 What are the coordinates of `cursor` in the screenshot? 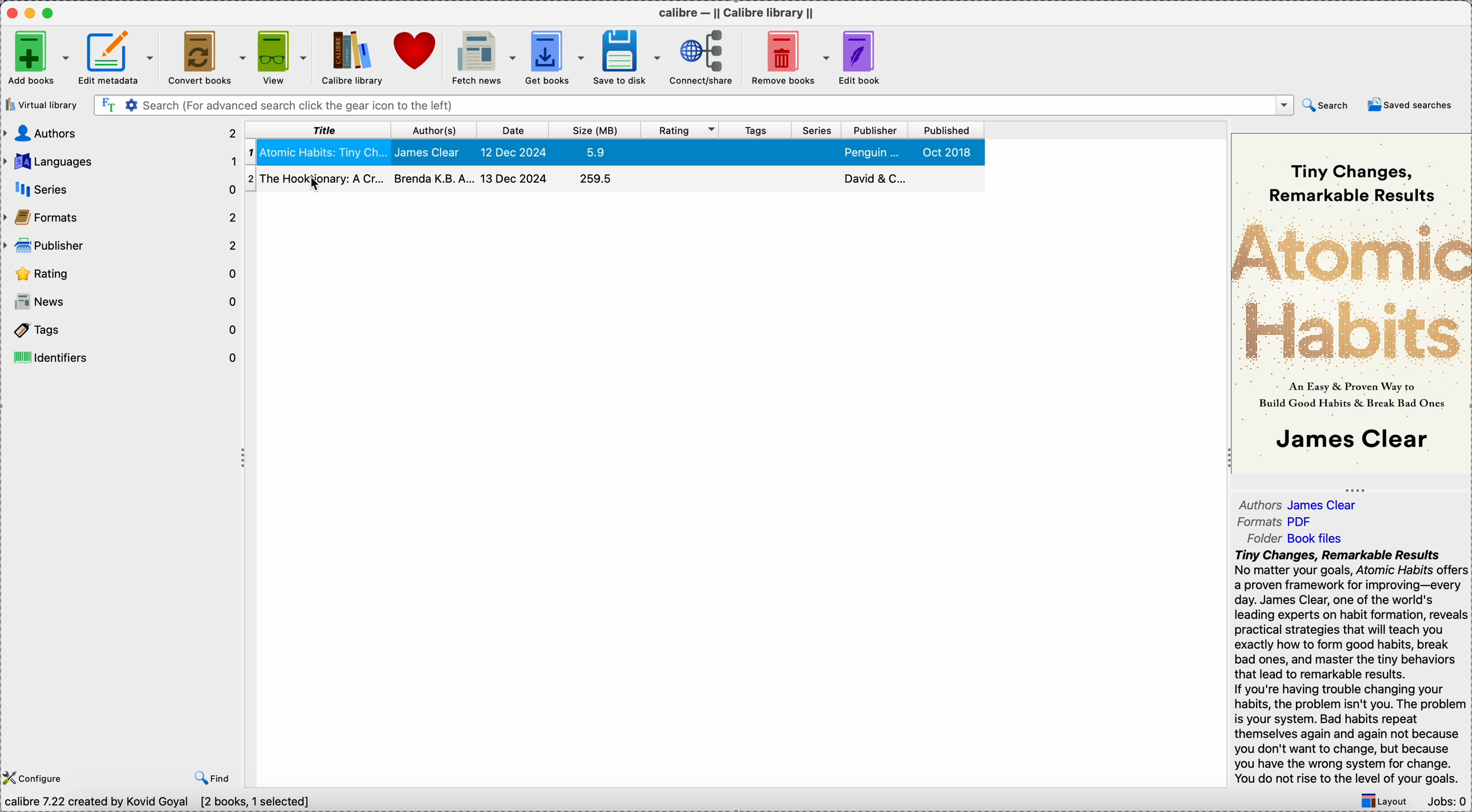 It's located at (312, 183).